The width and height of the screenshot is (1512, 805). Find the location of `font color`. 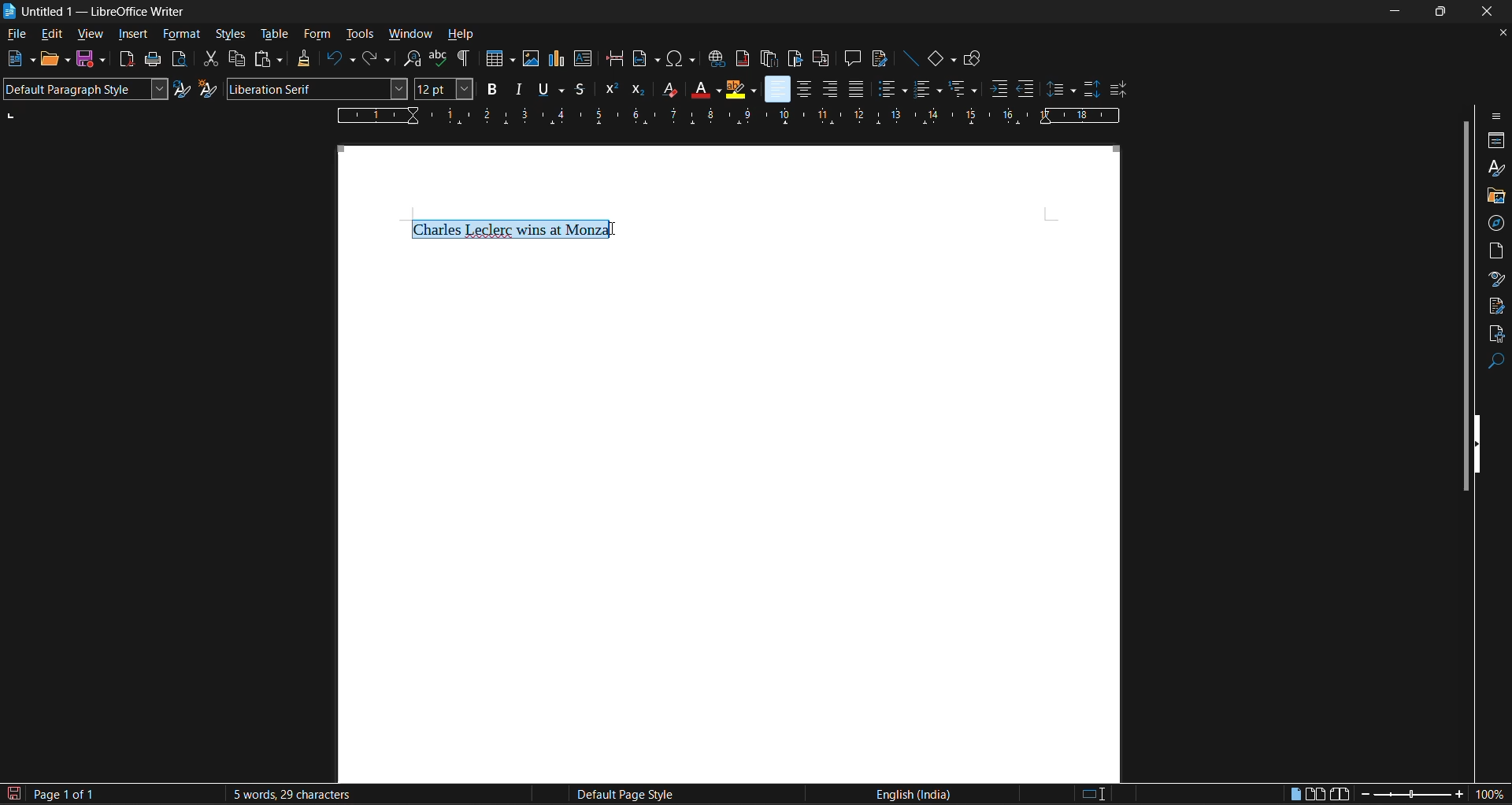

font color is located at coordinates (695, 89).